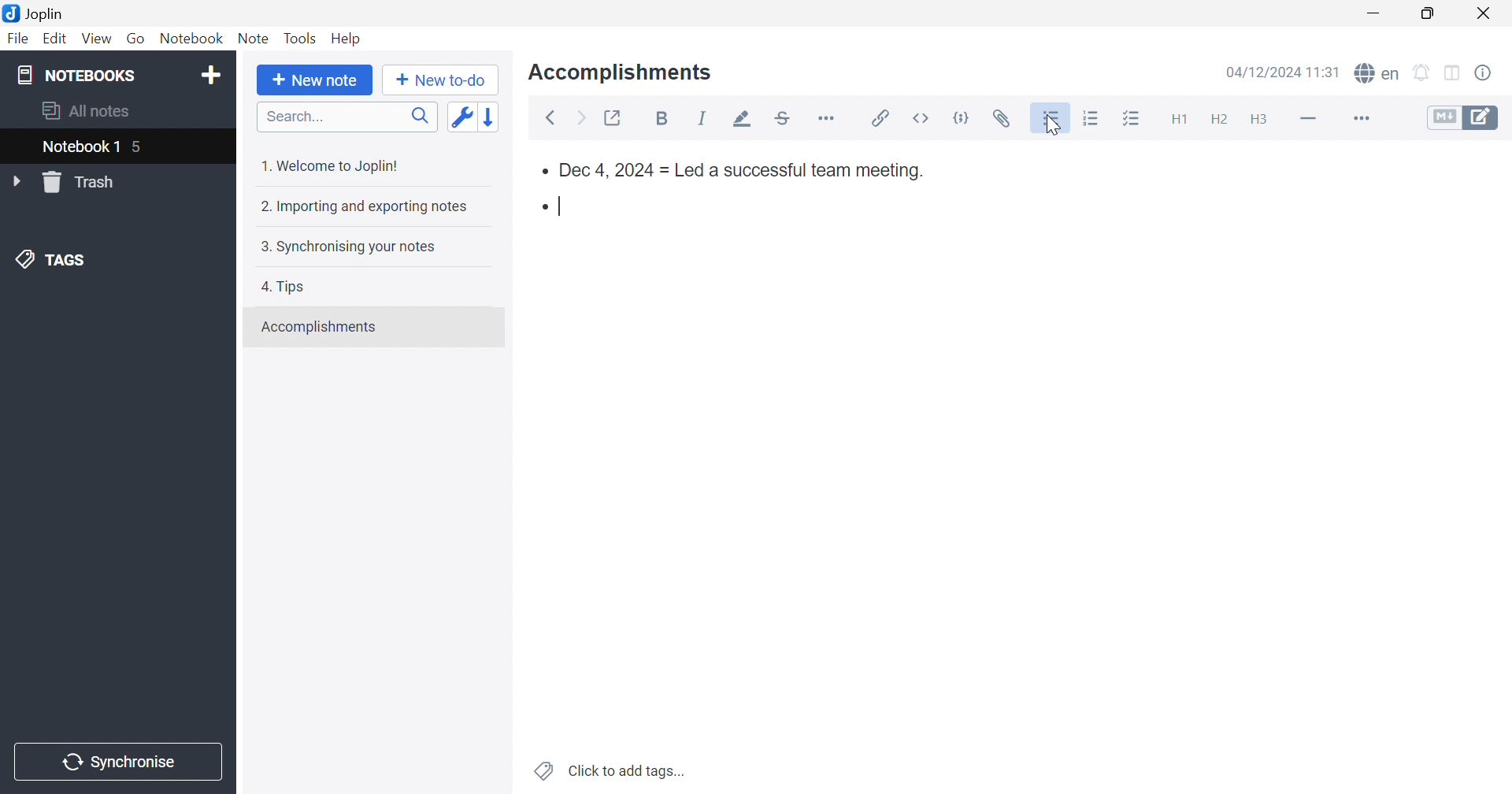  Describe the element at coordinates (347, 36) in the screenshot. I see `Help` at that location.